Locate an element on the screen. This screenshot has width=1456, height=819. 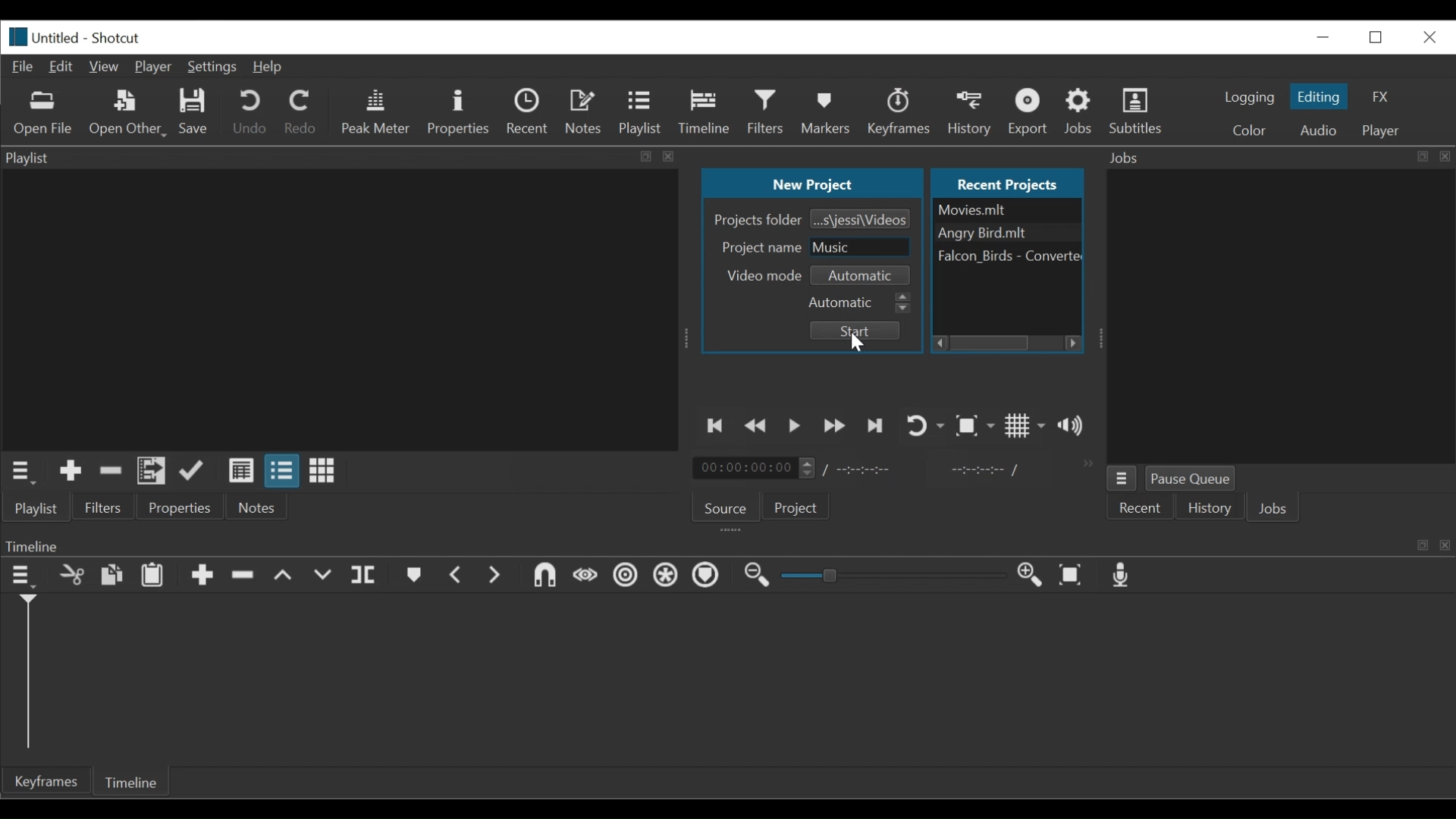
Recent Projects is located at coordinates (1003, 182).